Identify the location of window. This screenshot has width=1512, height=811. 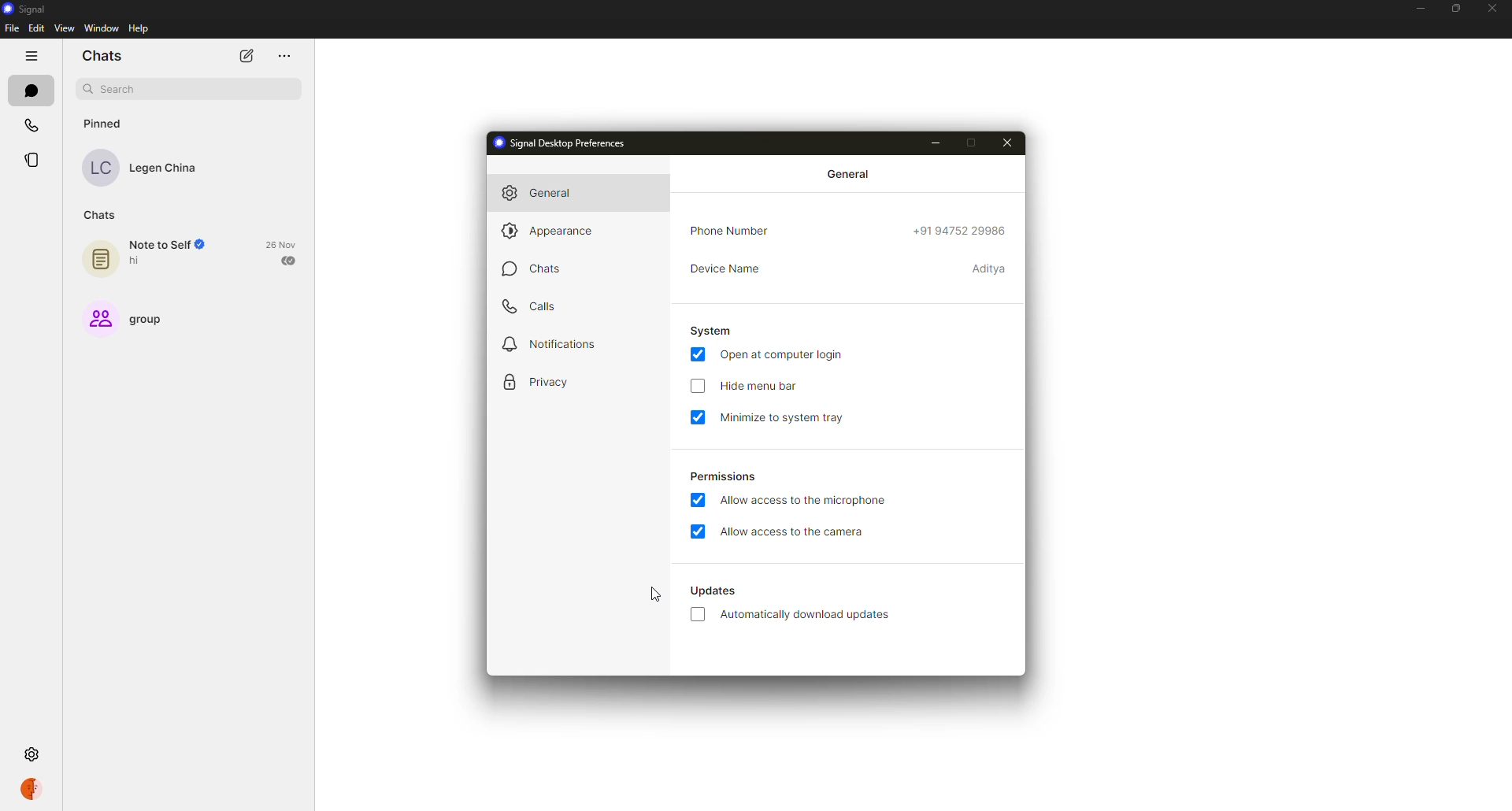
(101, 27).